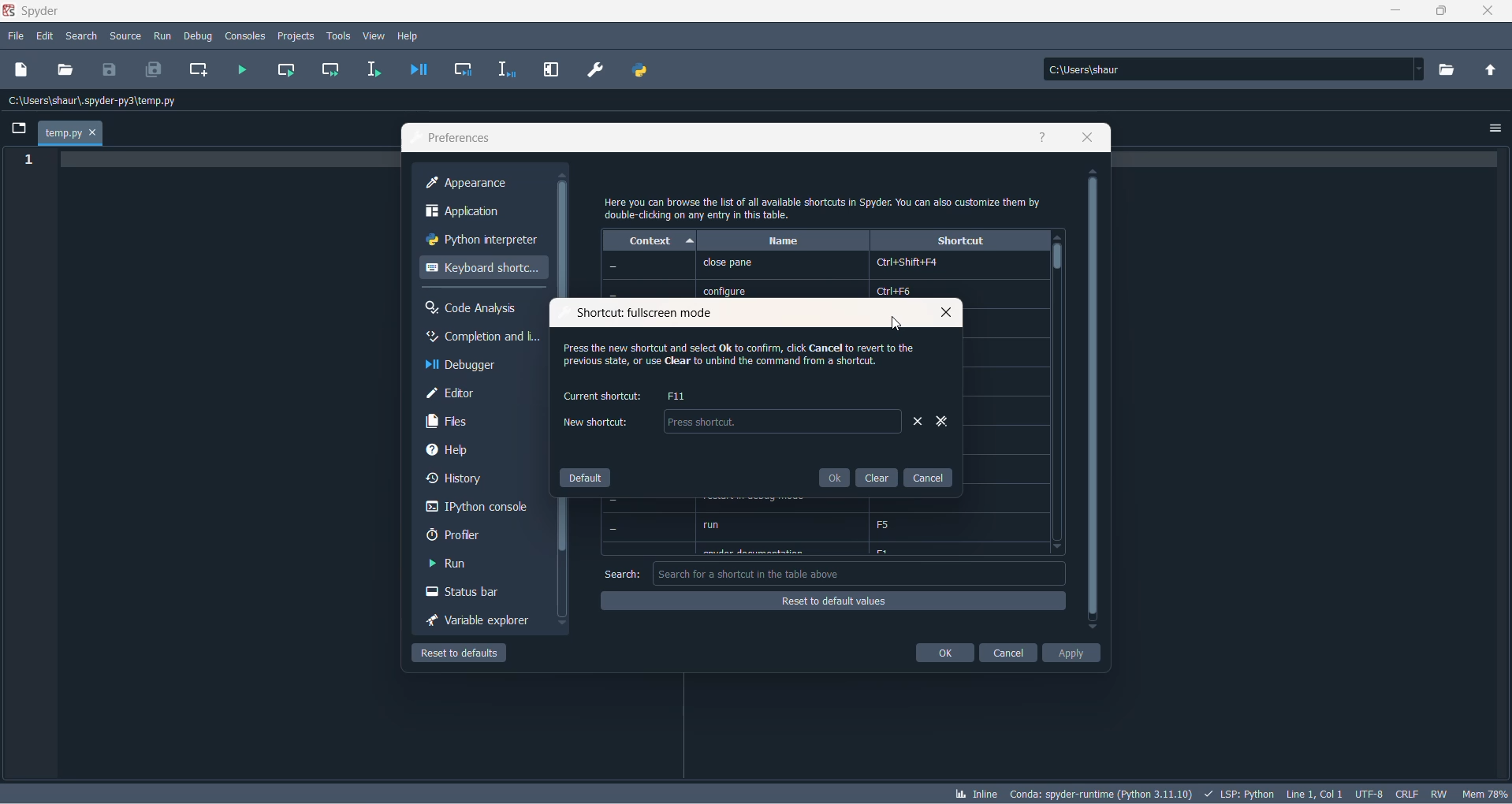  I want to click on clear, so click(876, 478).